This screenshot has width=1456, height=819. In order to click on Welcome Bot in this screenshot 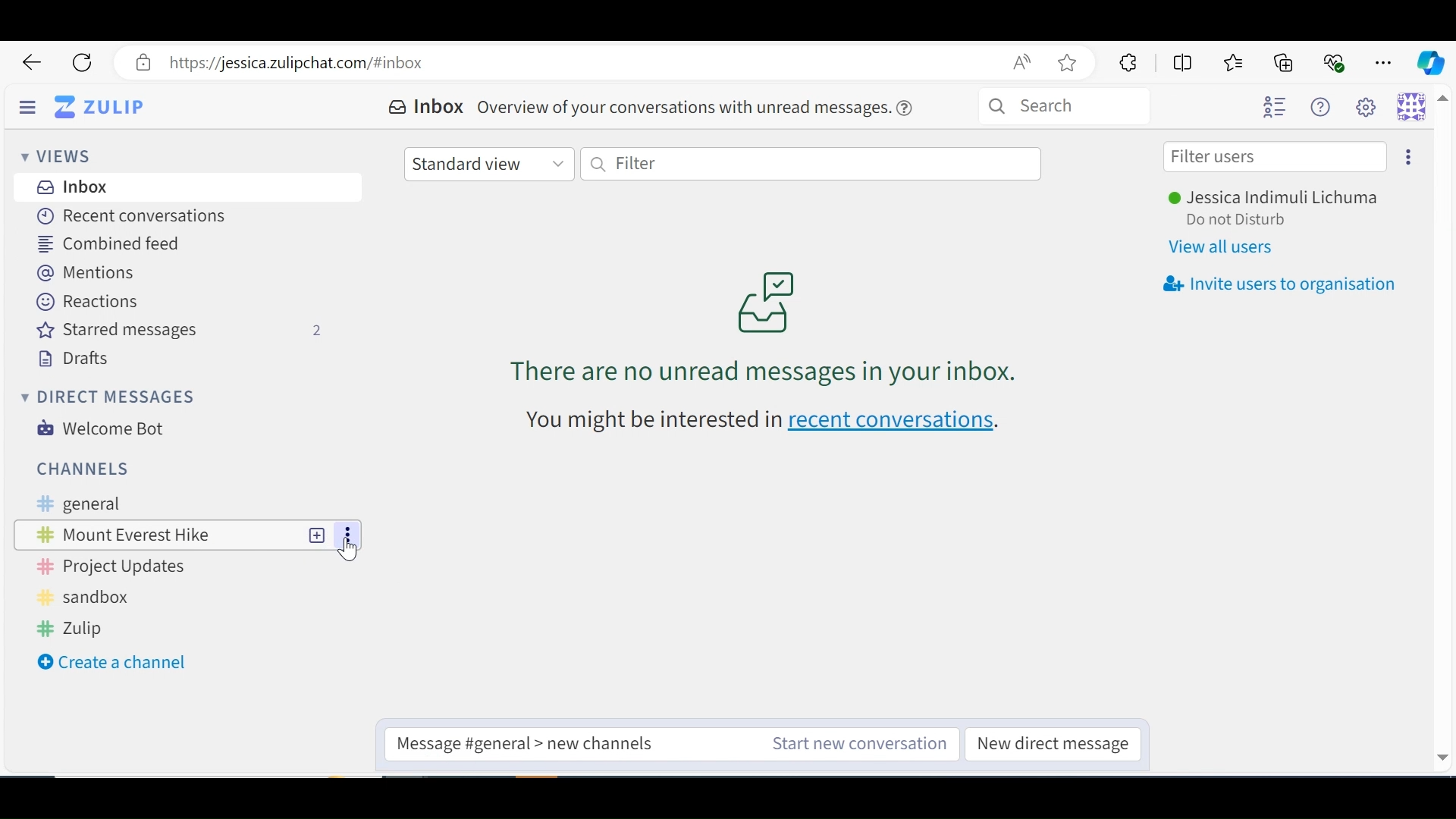, I will do `click(102, 428)`.